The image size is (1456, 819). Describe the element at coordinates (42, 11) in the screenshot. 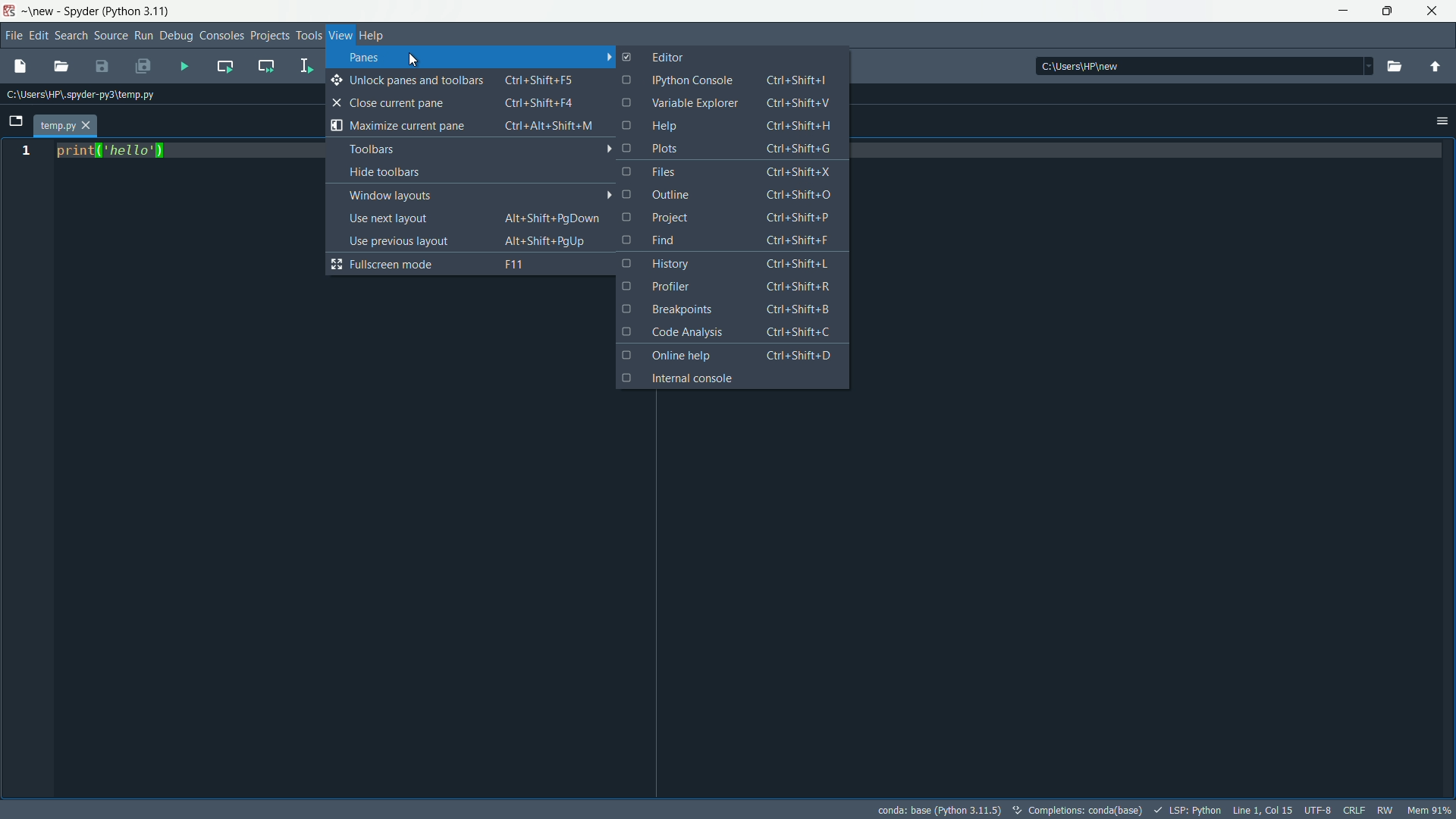

I see `new` at that location.